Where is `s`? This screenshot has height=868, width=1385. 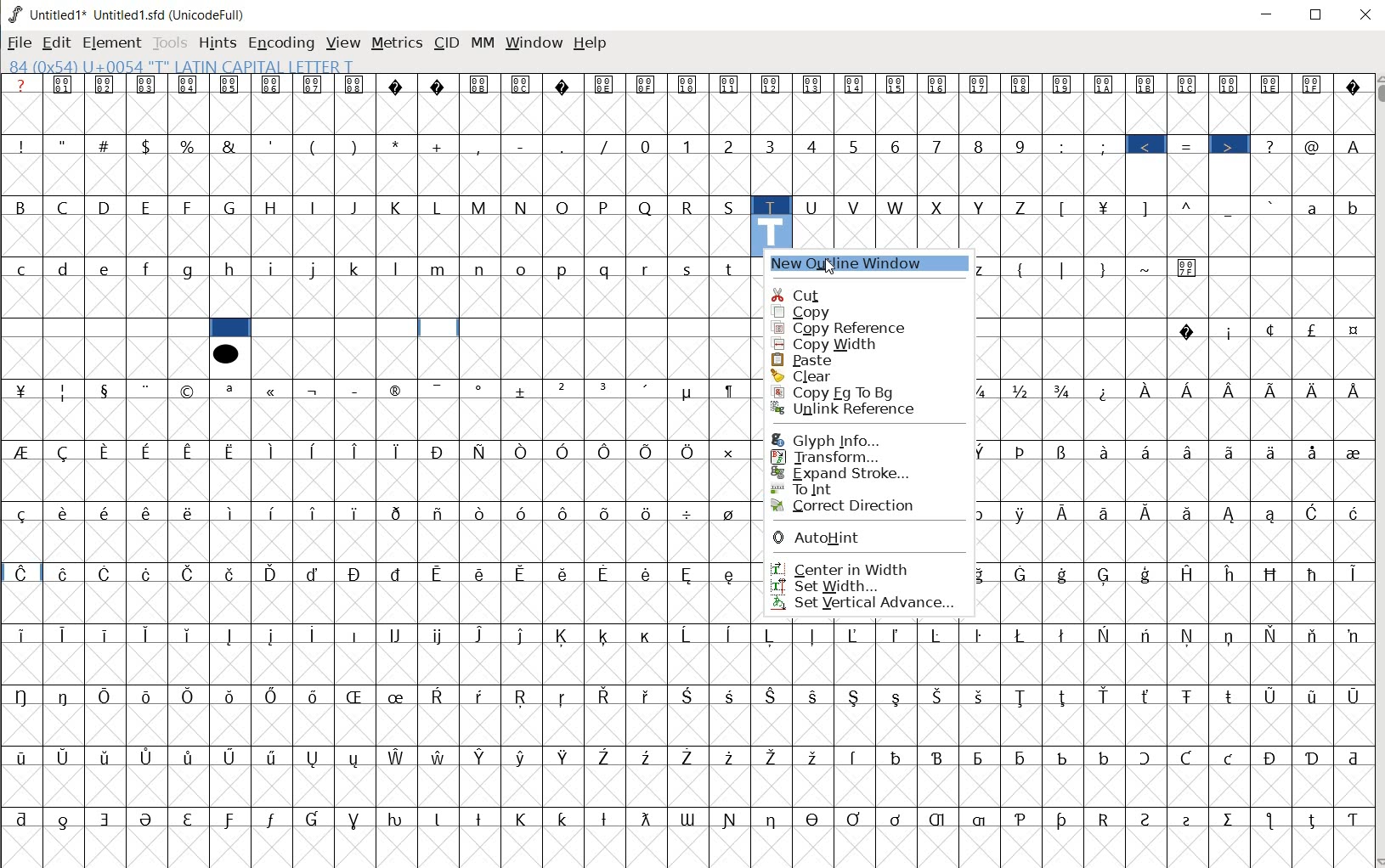
s is located at coordinates (687, 269).